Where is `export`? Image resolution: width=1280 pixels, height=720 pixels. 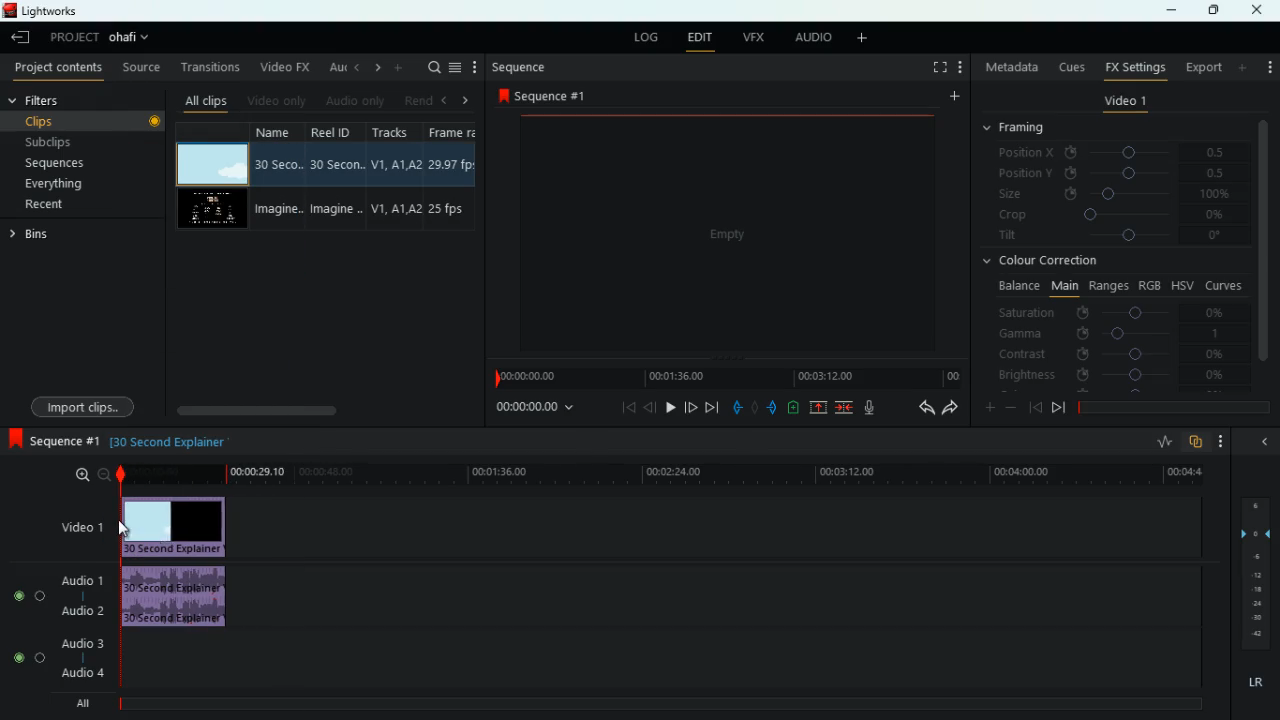 export is located at coordinates (1199, 67).